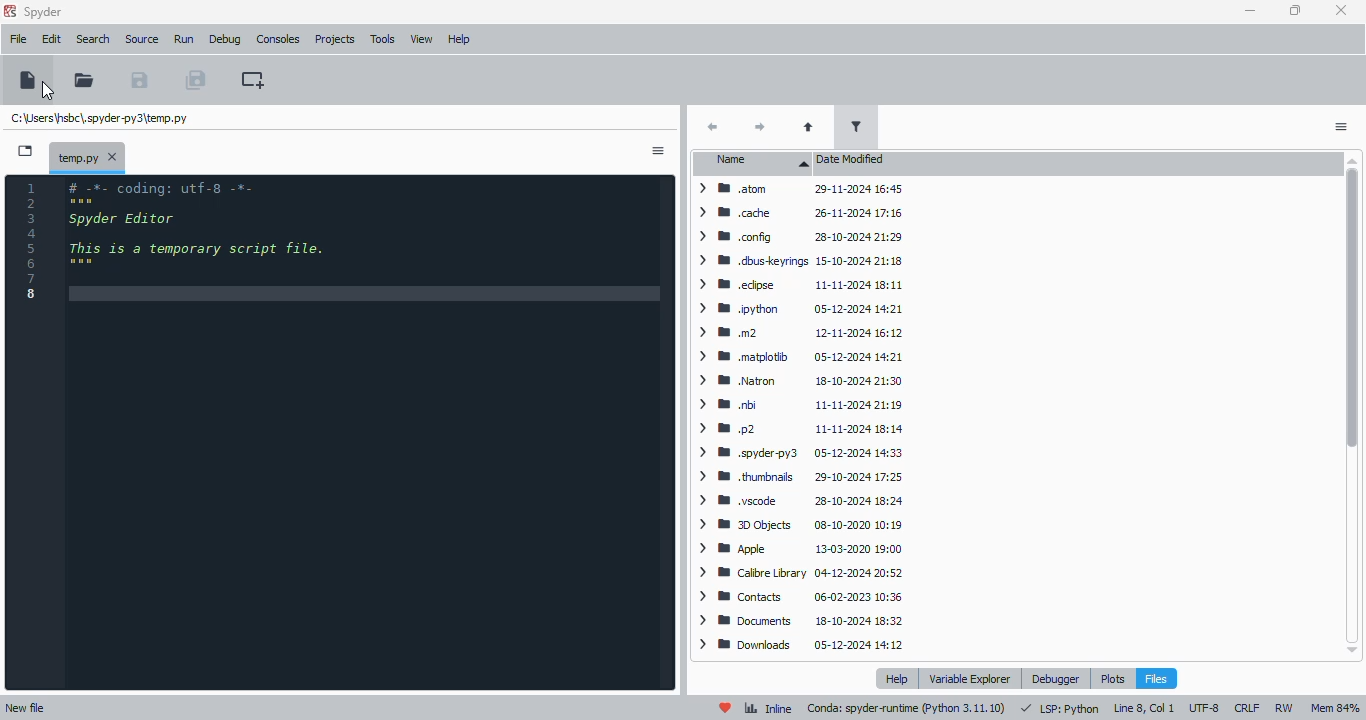 Image resolution: width=1366 pixels, height=720 pixels. I want to click on LSP: Python, so click(1060, 708).